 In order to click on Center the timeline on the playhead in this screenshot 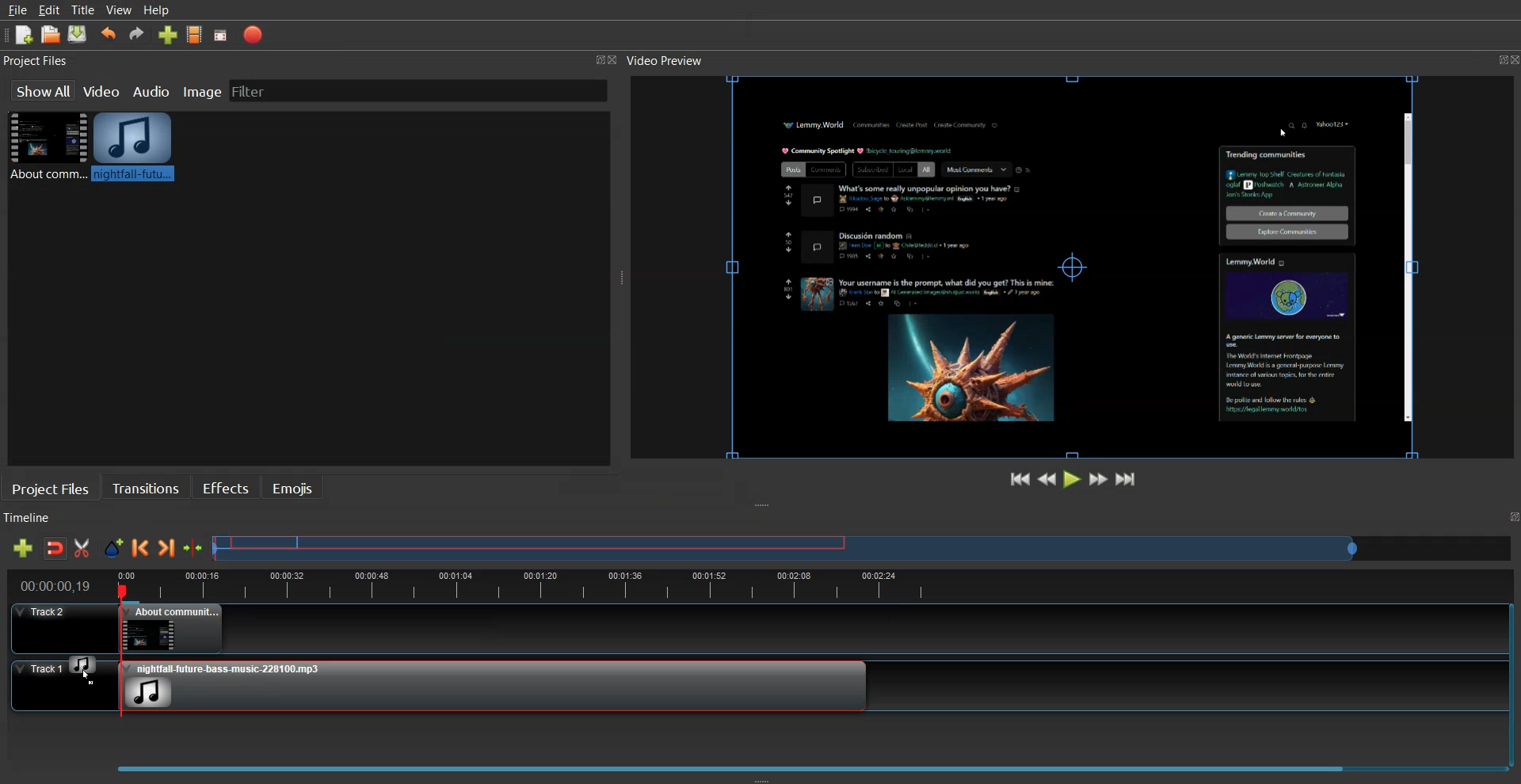, I will do `click(194, 548)`.